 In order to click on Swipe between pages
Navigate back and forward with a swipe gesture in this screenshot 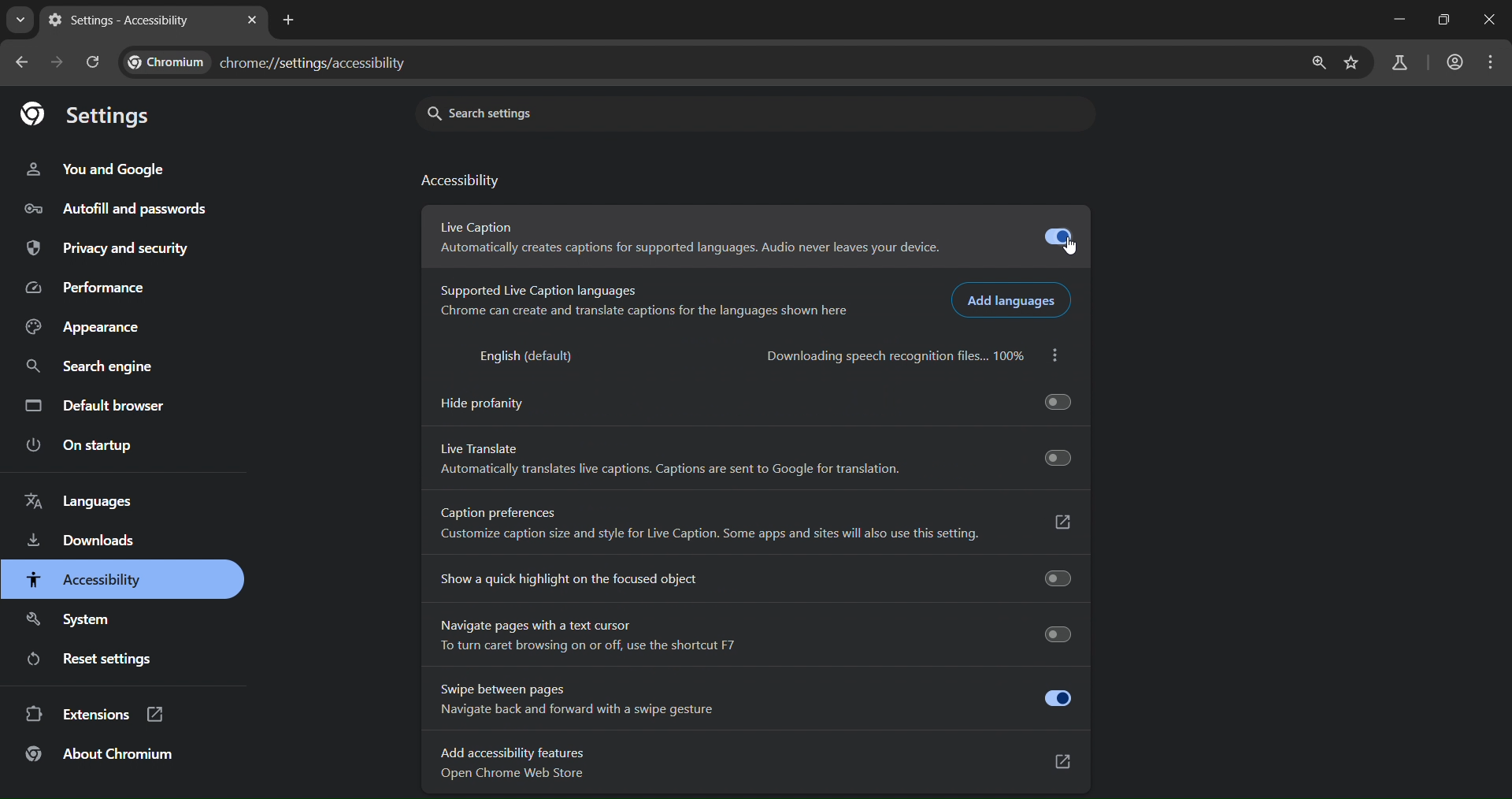, I will do `click(754, 699)`.